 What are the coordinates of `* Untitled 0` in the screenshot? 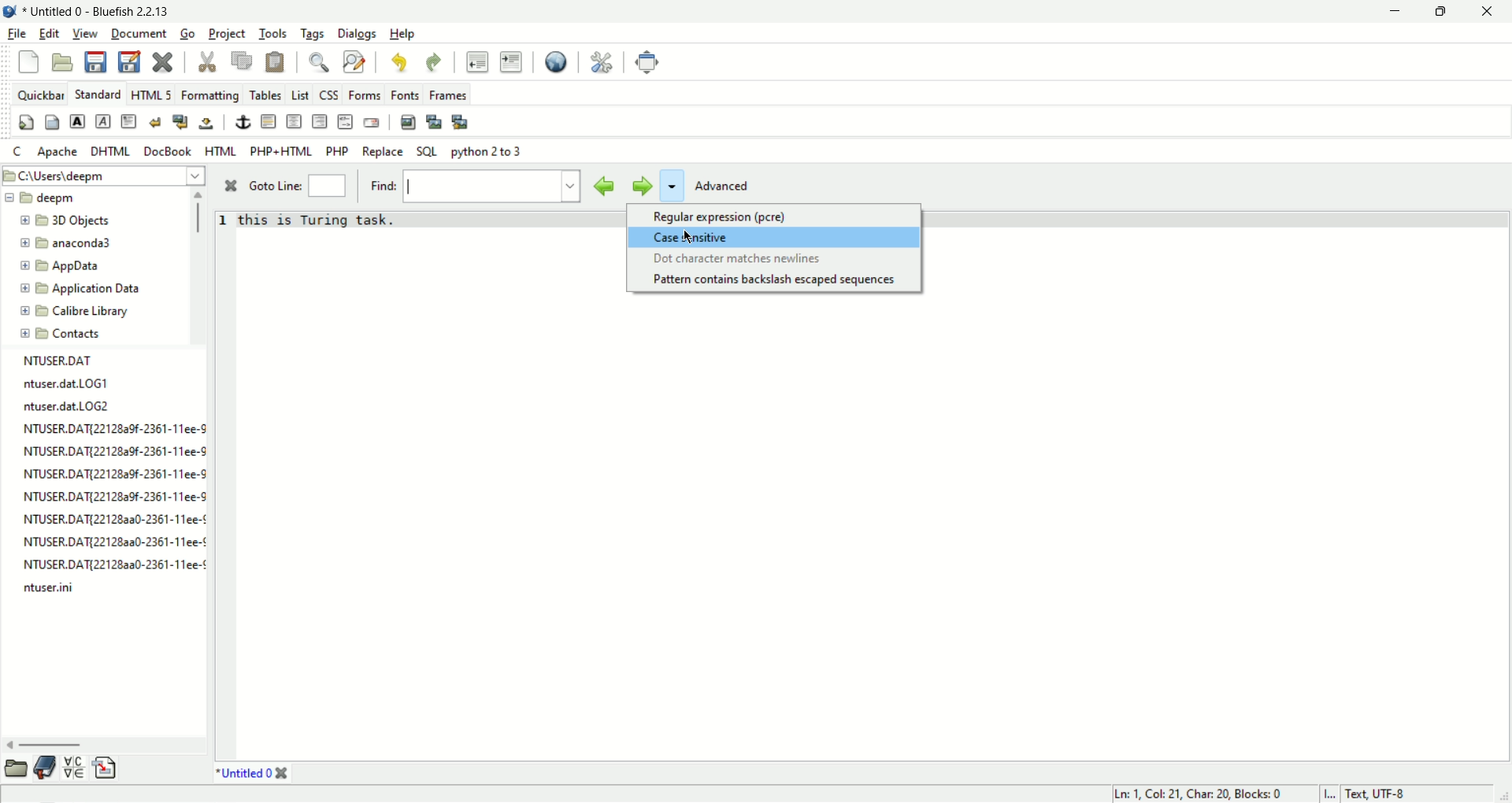 It's located at (243, 775).